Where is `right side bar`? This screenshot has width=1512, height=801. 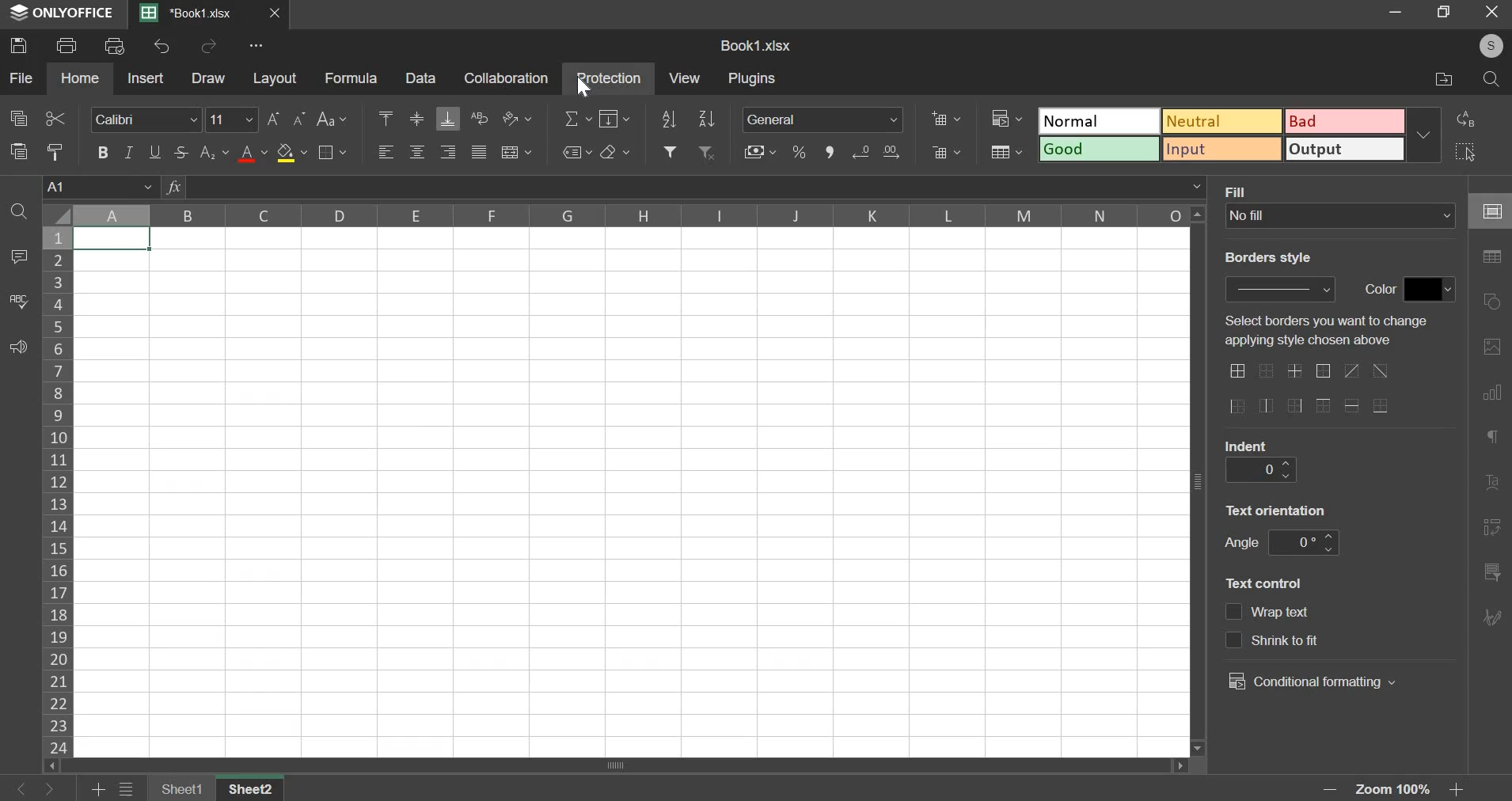
right side bar is located at coordinates (1492, 484).